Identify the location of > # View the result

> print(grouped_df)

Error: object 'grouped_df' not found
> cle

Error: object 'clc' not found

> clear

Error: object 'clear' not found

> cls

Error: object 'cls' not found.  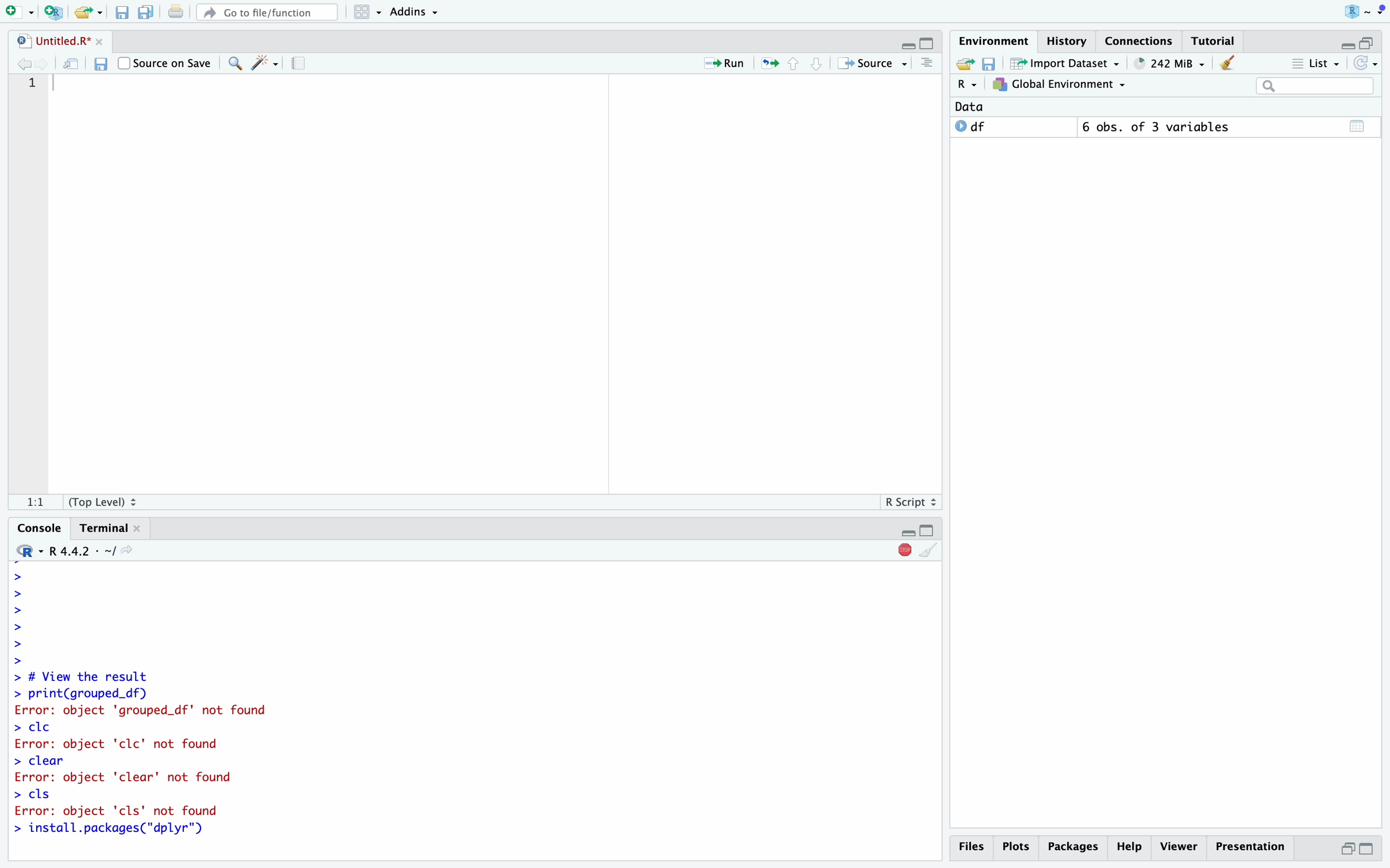
(473, 711).